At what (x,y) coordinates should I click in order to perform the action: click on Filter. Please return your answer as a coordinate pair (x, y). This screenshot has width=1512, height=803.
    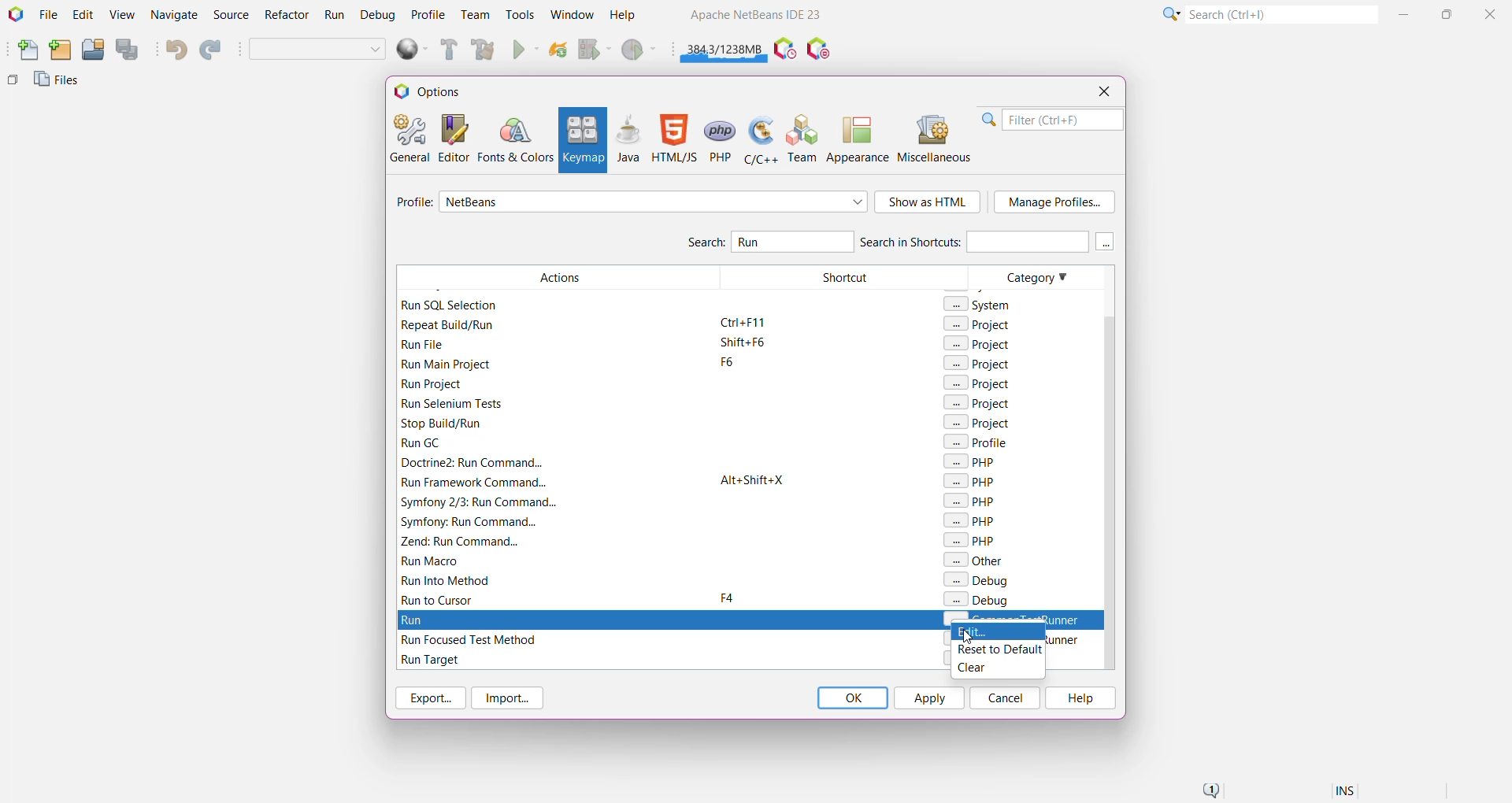
    Looking at the image, I should click on (1052, 120).